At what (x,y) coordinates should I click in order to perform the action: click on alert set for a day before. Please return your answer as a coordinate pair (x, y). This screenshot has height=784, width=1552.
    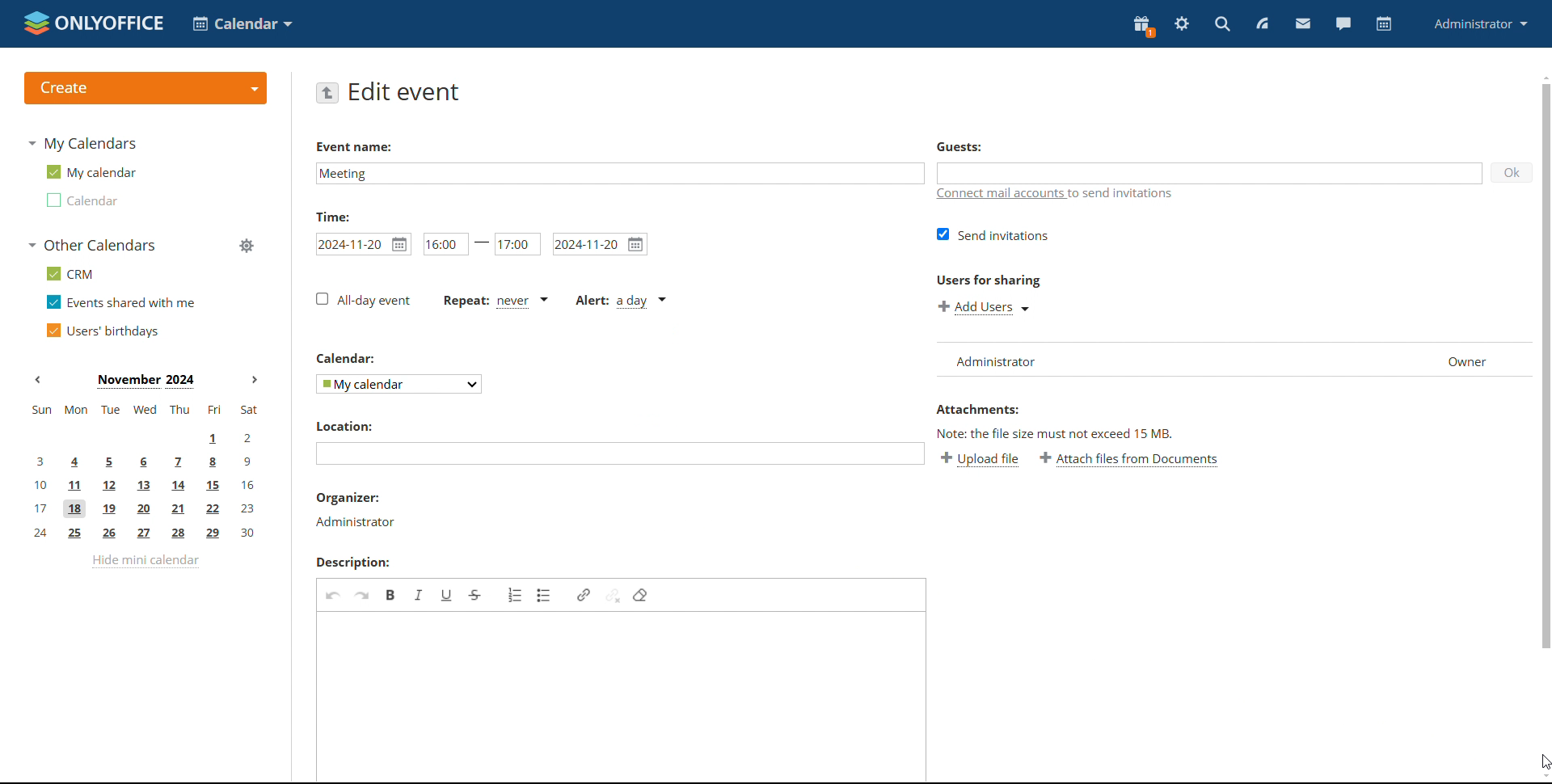
    Looking at the image, I should click on (619, 303).